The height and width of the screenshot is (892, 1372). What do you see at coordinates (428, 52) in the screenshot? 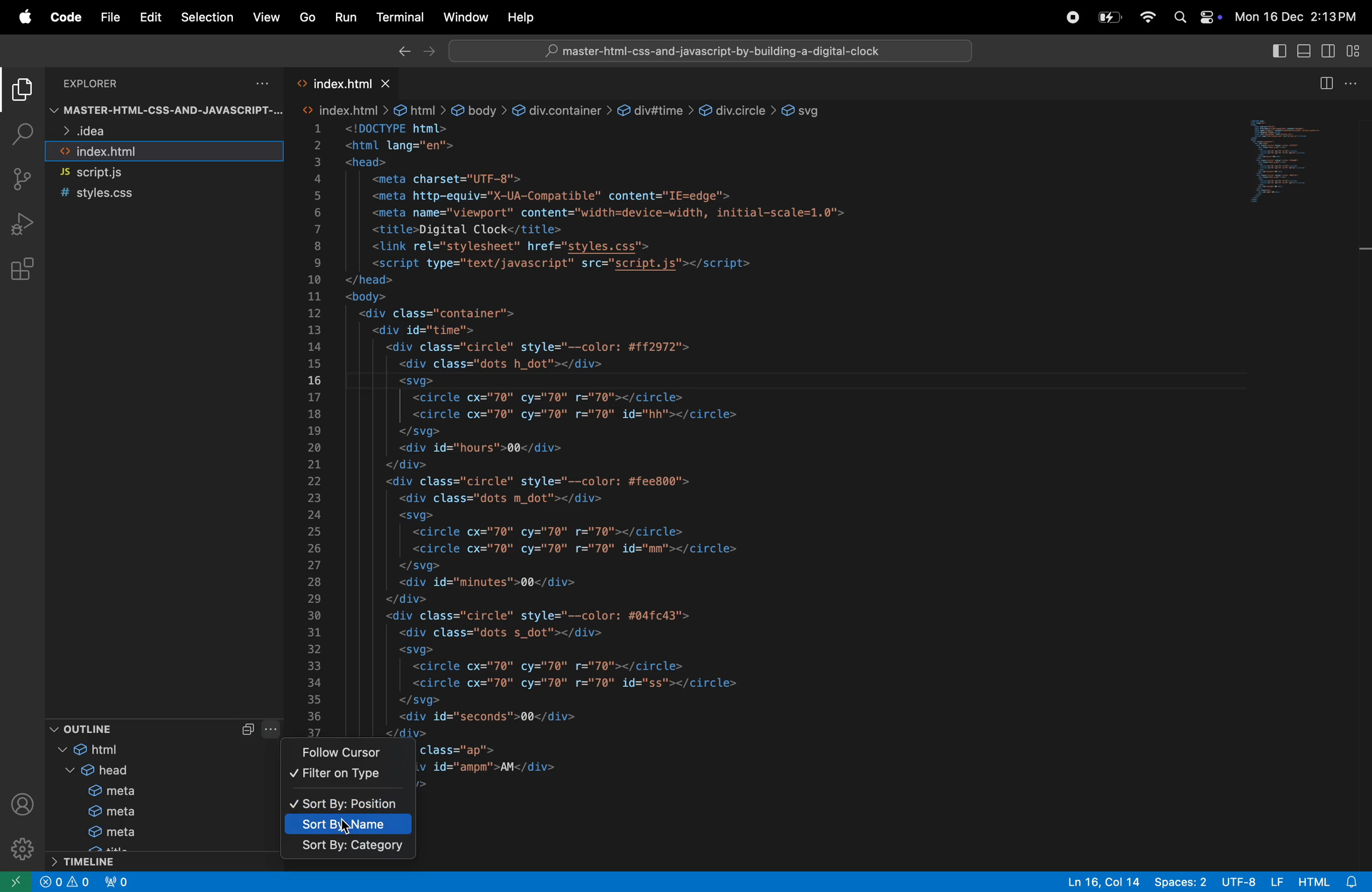
I see `forward` at bounding box center [428, 52].